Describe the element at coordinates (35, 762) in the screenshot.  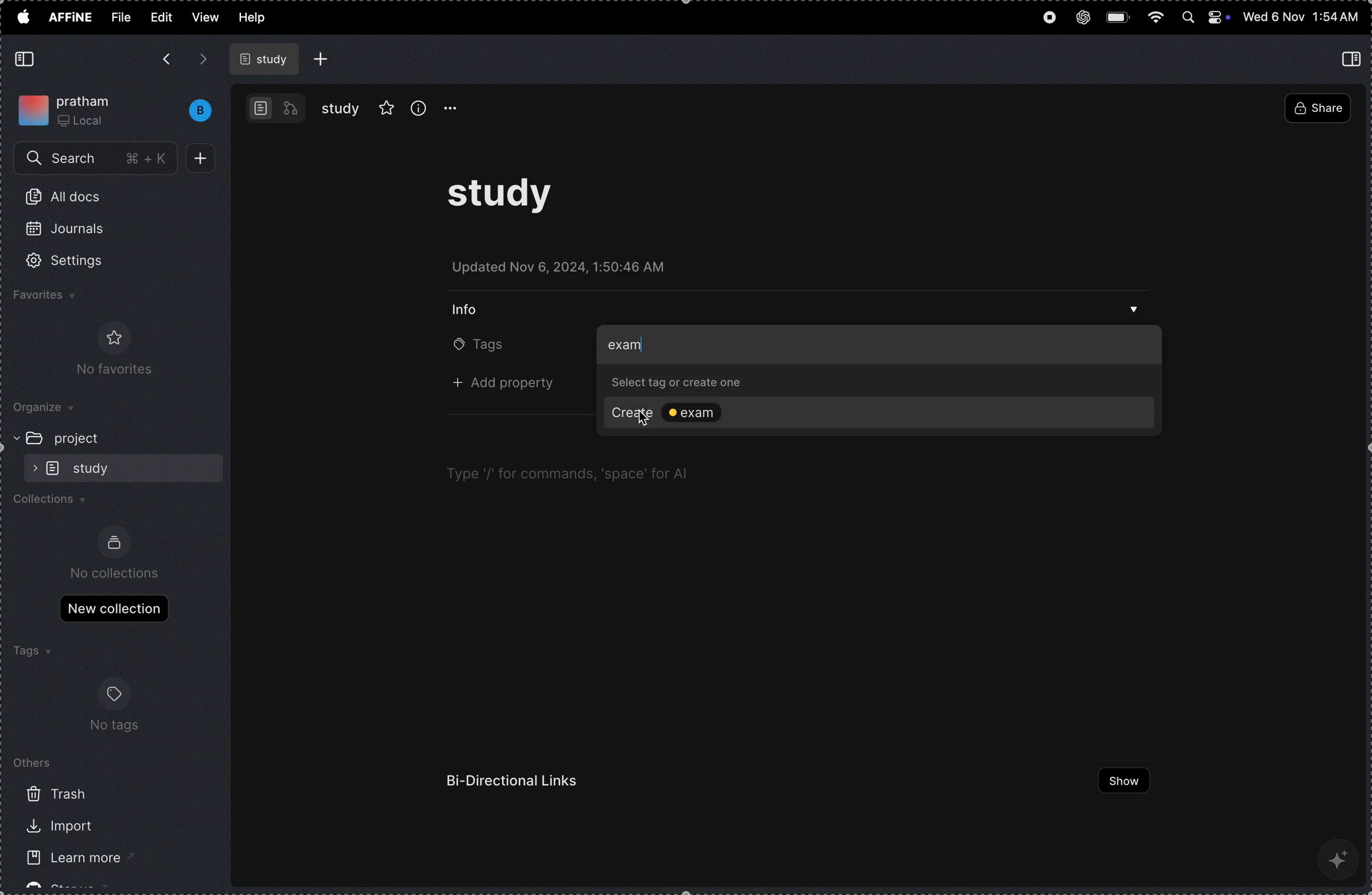
I see `others` at that location.